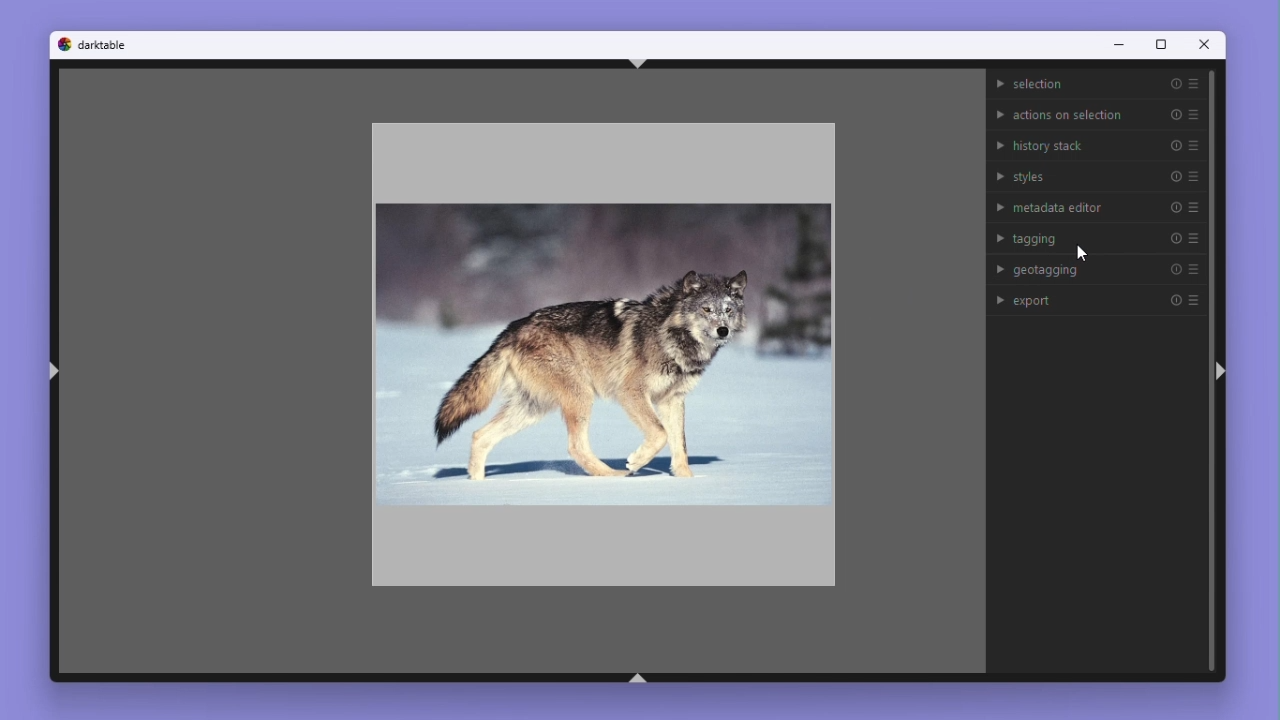  What do you see at coordinates (1096, 84) in the screenshot?
I see `Selection` at bounding box center [1096, 84].